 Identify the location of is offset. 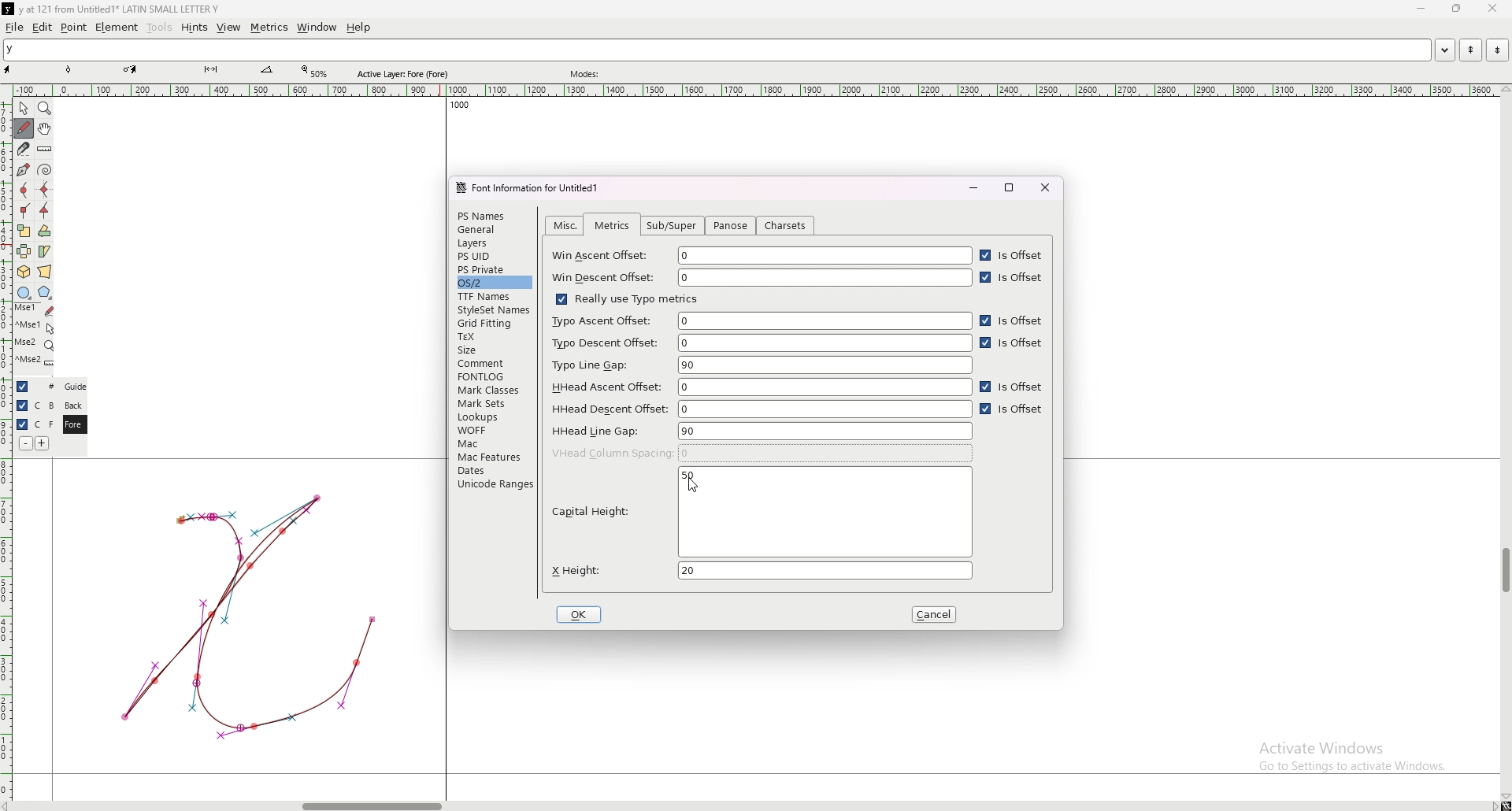
(1013, 388).